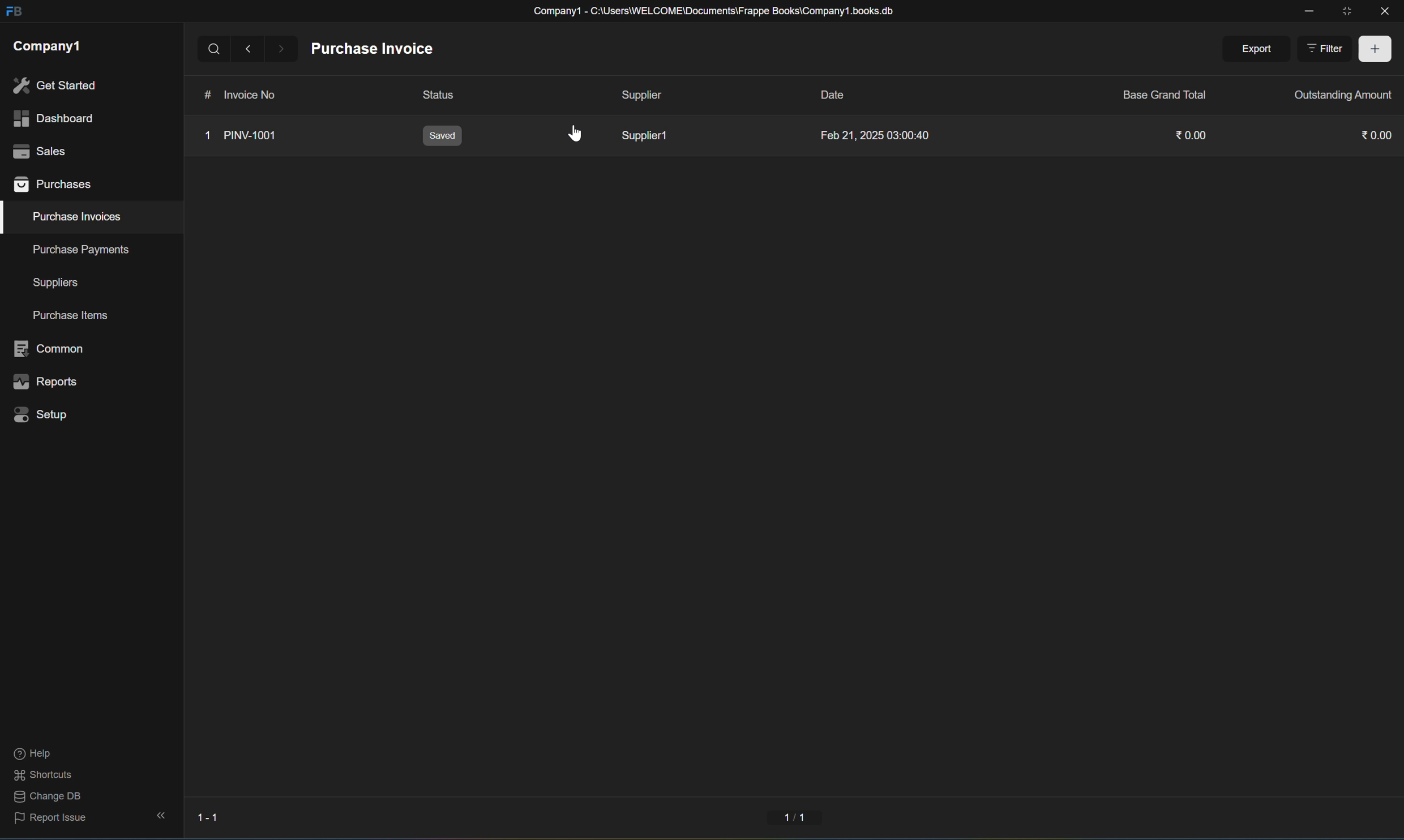 This screenshot has height=840, width=1404. Describe the element at coordinates (797, 819) in the screenshot. I see `1-1` at that location.